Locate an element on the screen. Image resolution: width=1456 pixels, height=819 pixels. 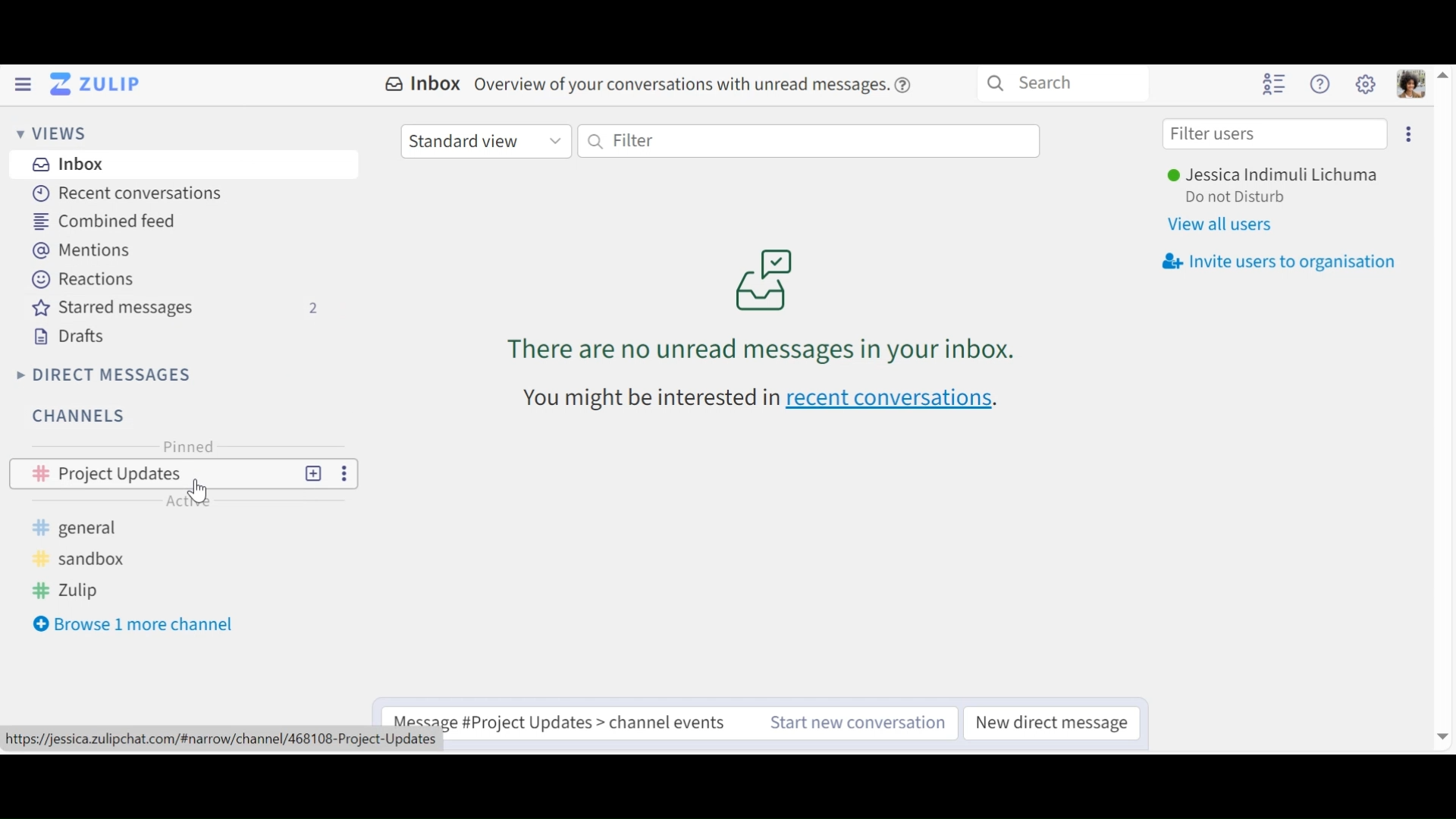
Reactions is located at coordinates (83, 278).